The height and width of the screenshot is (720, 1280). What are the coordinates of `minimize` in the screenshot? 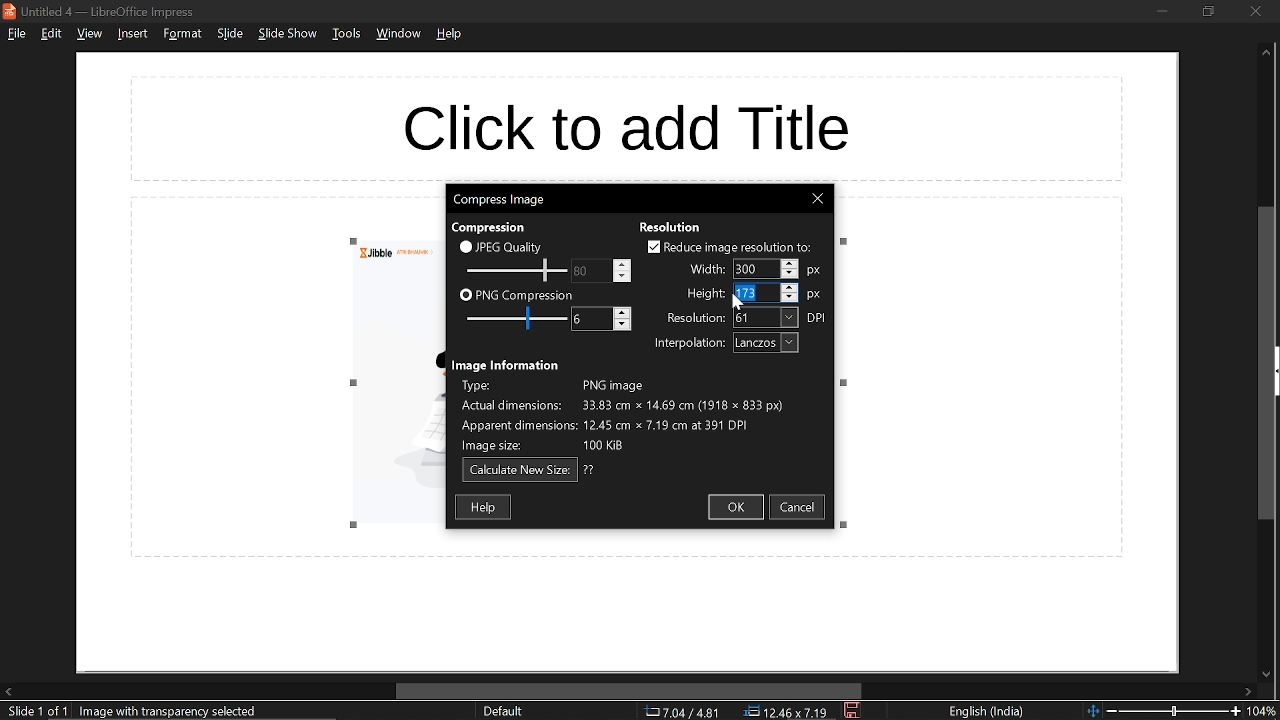 It's located at (1162, 11).